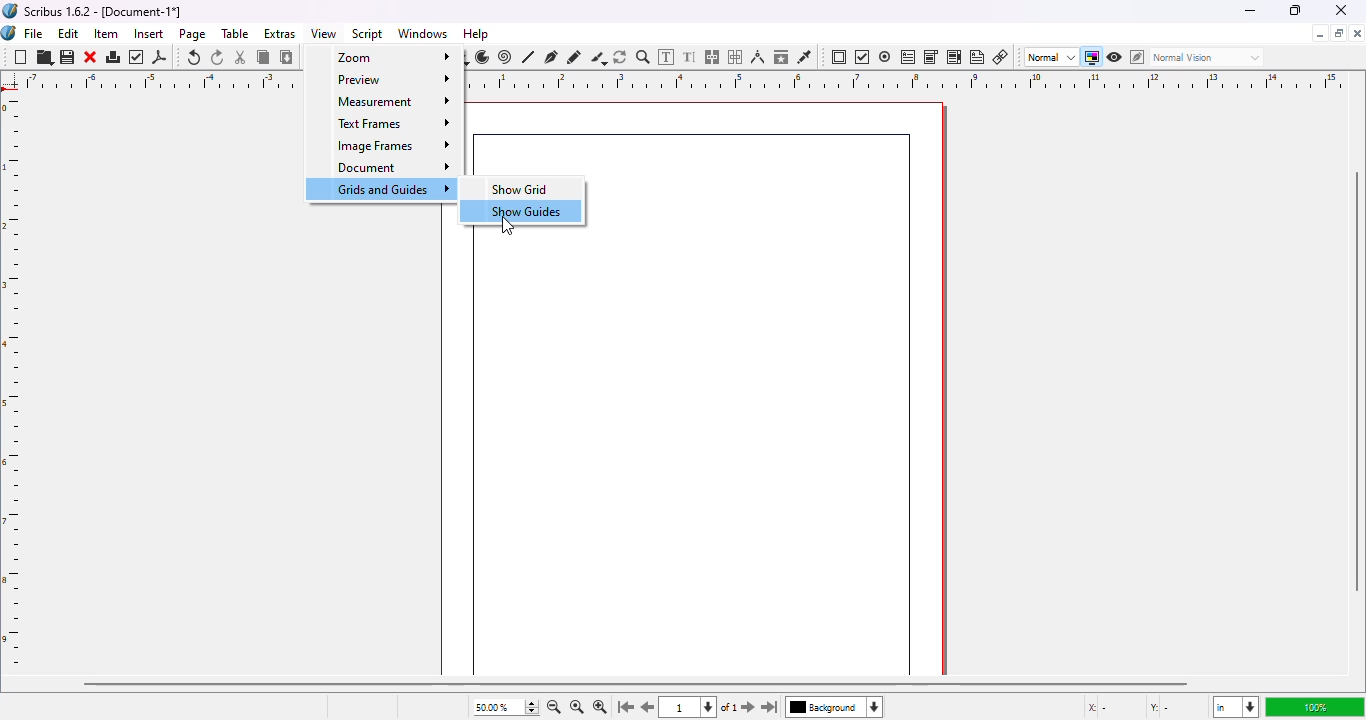  Describe the element at coordinates (104, 11) in the screenshot. I see `Scribus 1.6.2 - [Document-1*]` at that location.